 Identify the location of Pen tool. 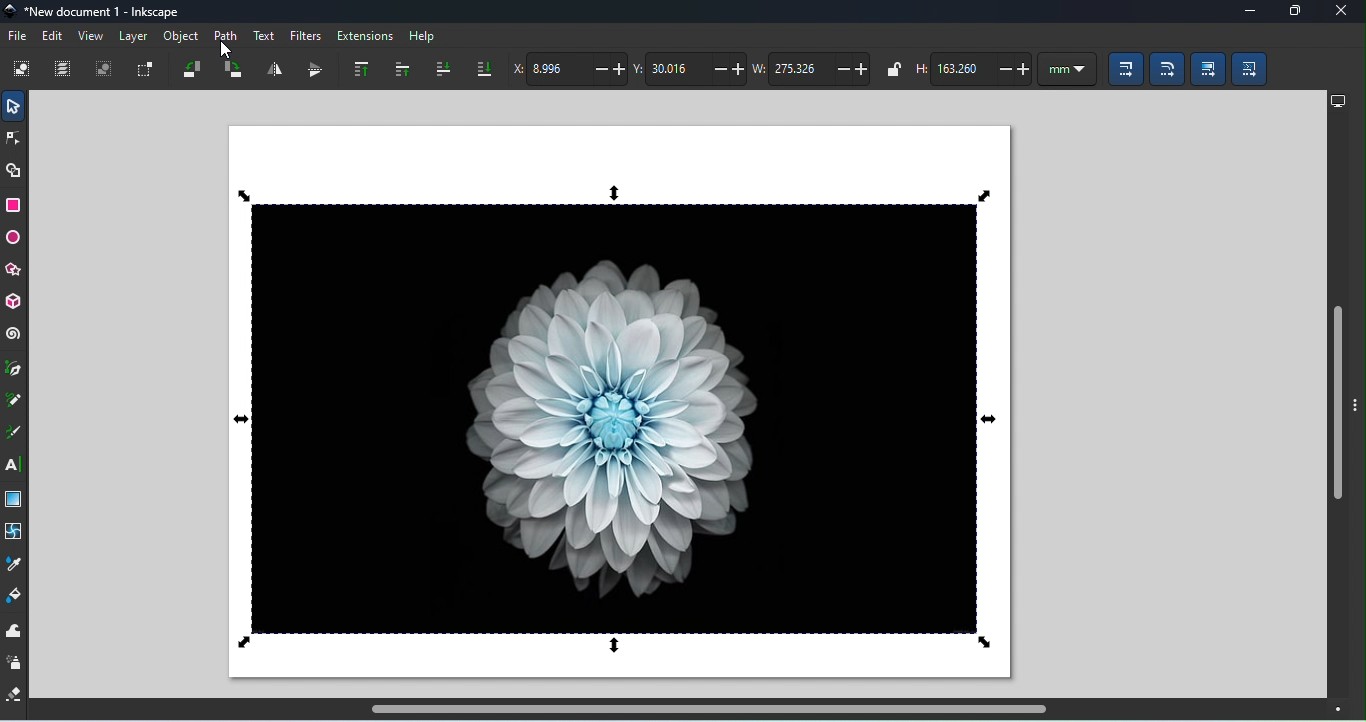
(15, 370).